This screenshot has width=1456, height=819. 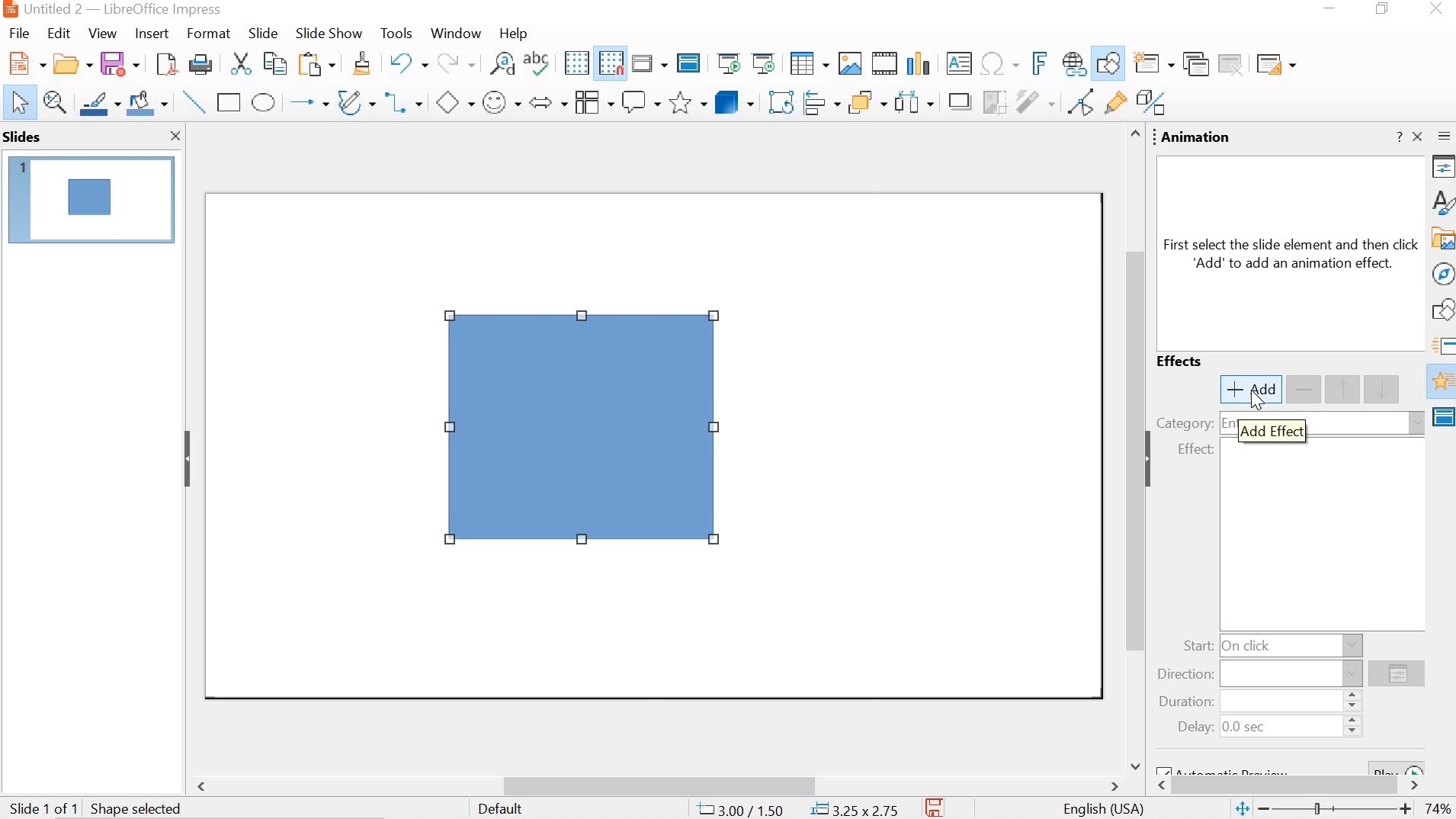 I want to click on direction, so click(x=1259, y=673).